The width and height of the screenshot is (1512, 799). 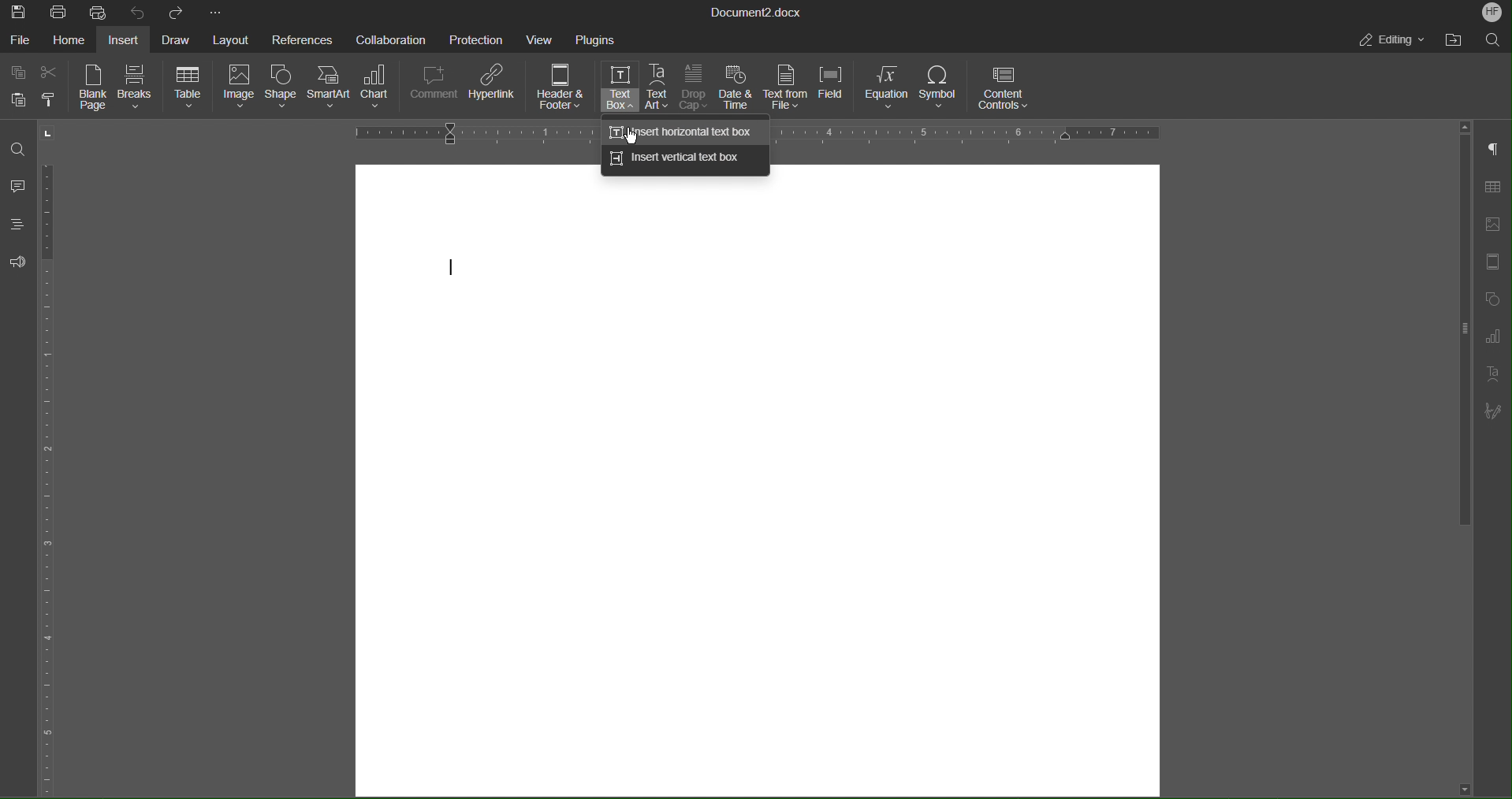 I want to click on Table, so click(x=189, y=88).